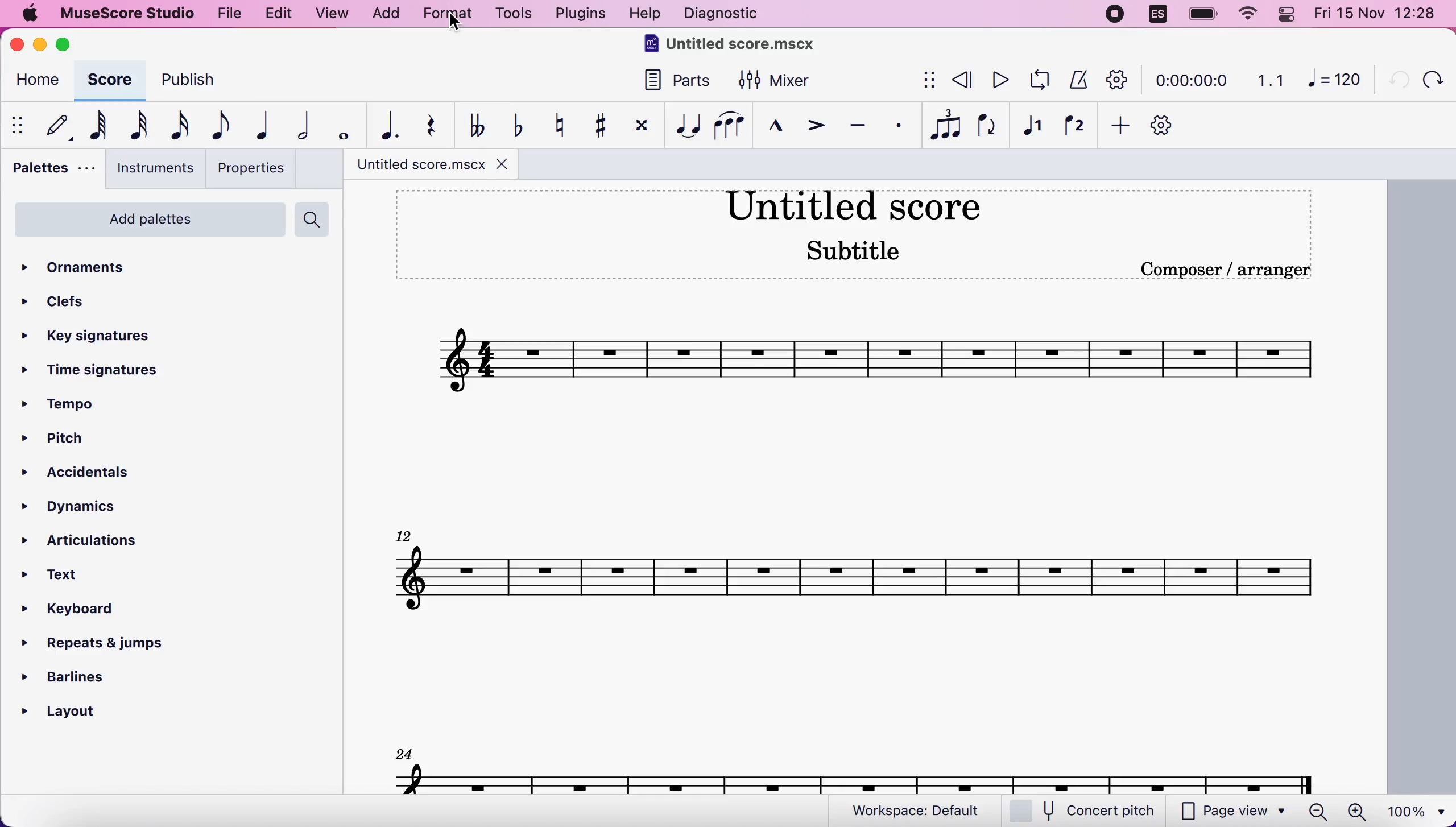 The image size is (1456, 827). What do you see at coordinates (74, 708) in the screenshot?
I see `layout` at bounding box center [74, 708].